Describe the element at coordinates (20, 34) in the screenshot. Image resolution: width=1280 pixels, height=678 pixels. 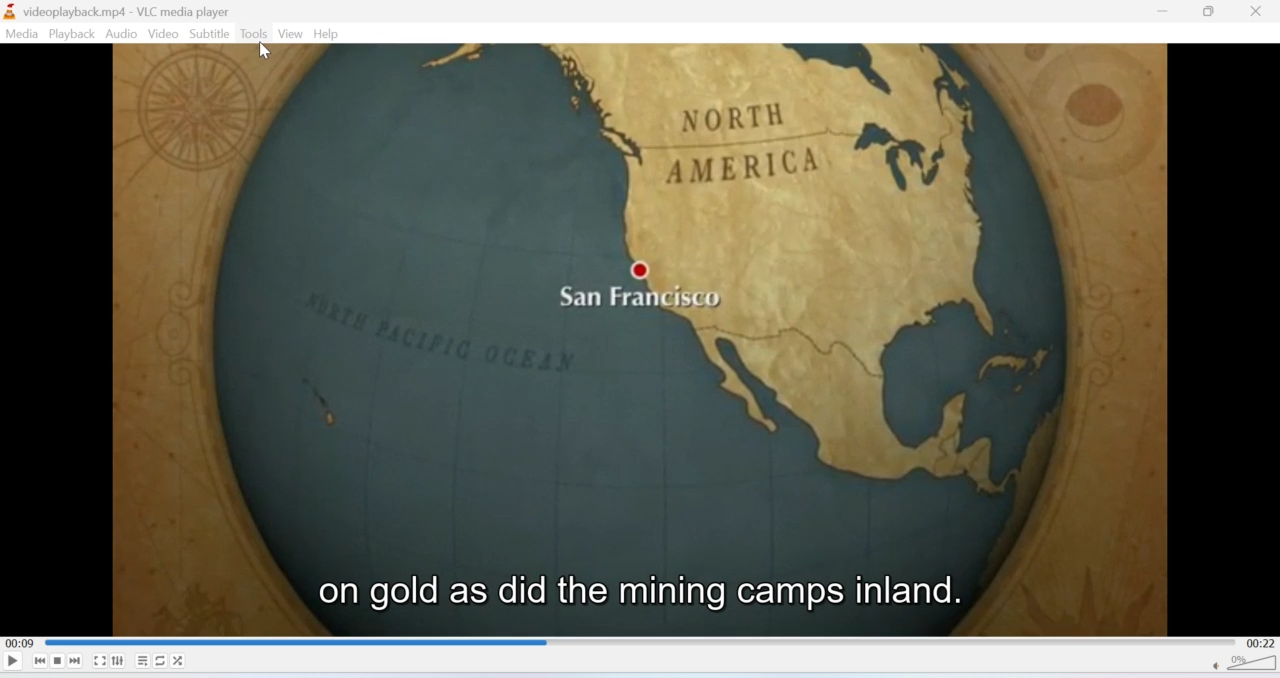
I see `Media` at that location.